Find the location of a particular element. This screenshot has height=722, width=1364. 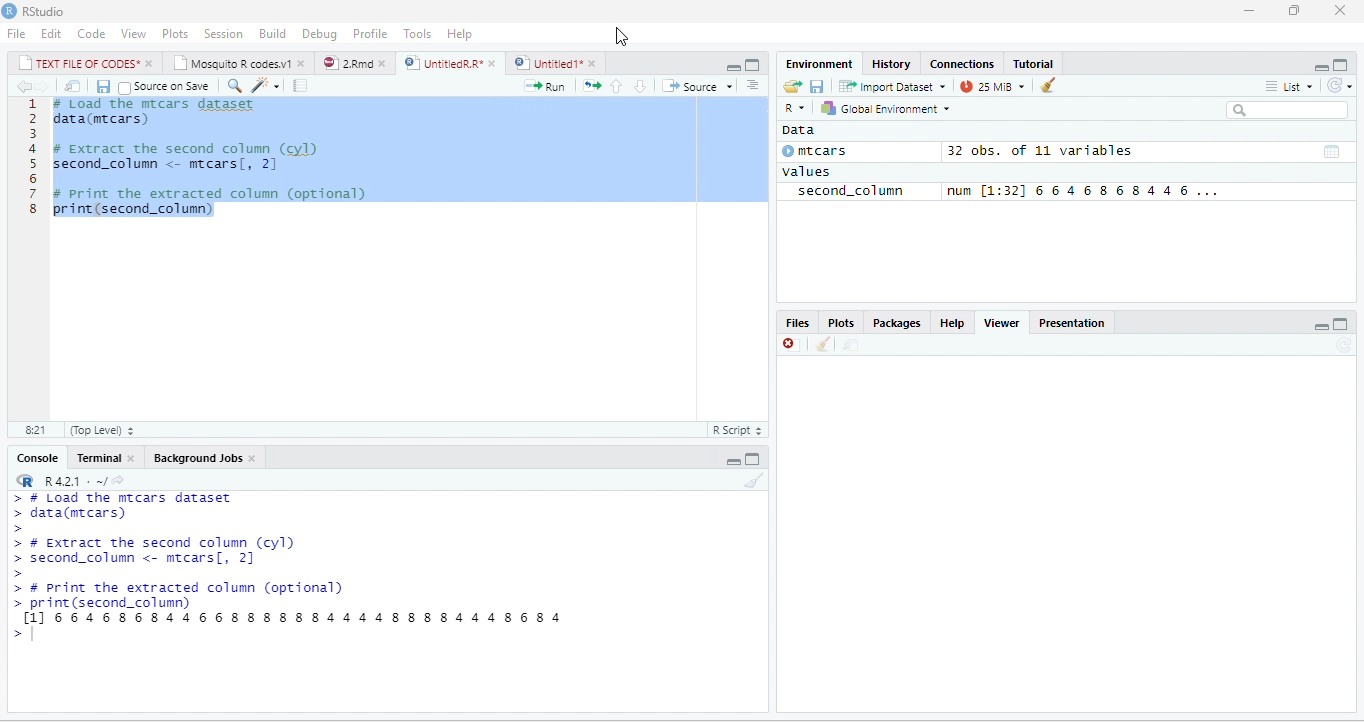

Presentation is located at coordinates (1077, 323).